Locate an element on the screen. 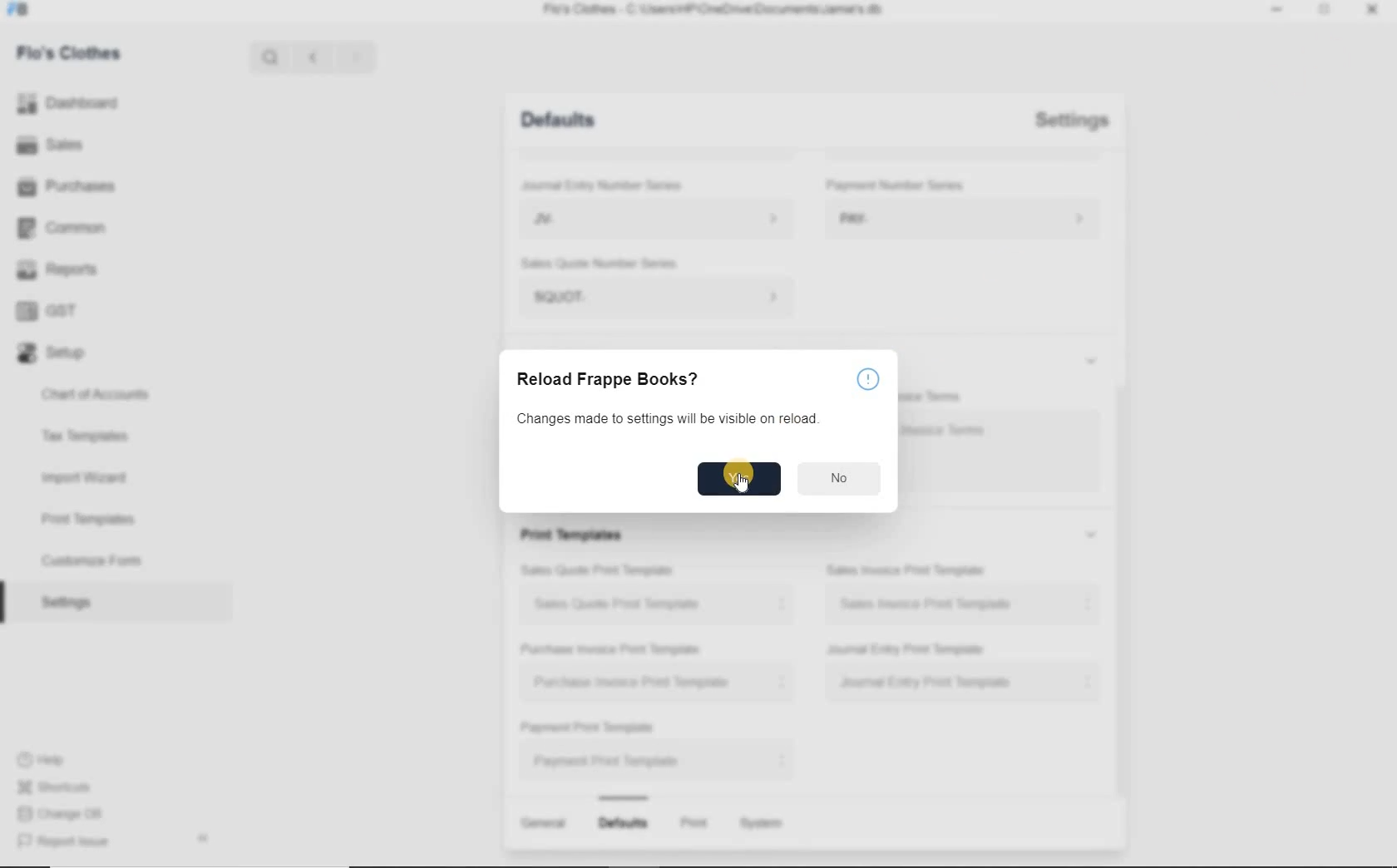 This screenshot has height=868, width=1397. Change made to settings will be visible on reload is located at coordinates (666, 418).